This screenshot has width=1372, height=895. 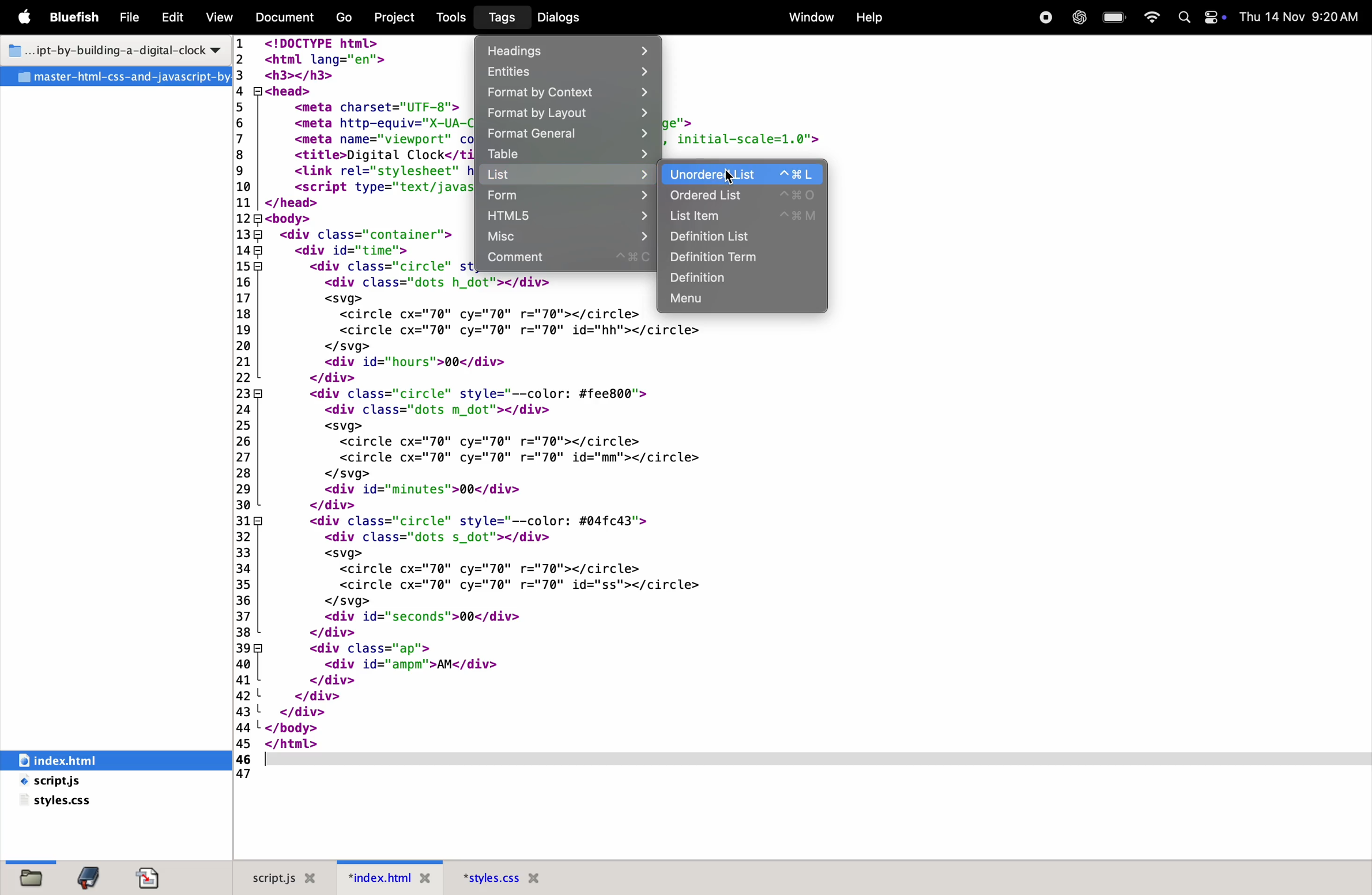 What do you see at coordinates (346, 18) in the screenshot?
I see `Go` at bounding box center [346, 18].